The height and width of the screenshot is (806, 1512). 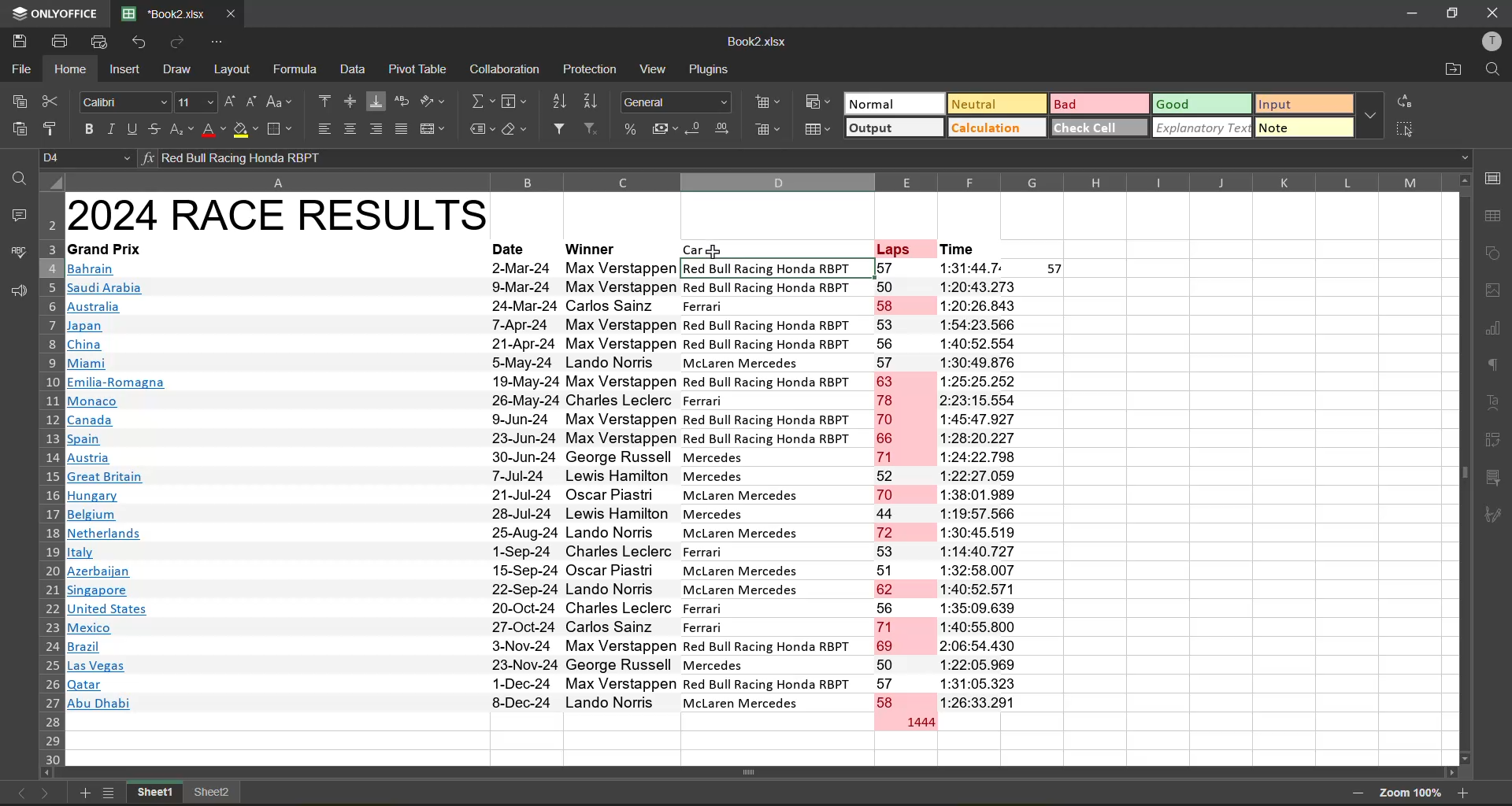 What do you see at coordinates (230, 70) in the screenshot?
I see `layout` at bounding box center [230, 70].